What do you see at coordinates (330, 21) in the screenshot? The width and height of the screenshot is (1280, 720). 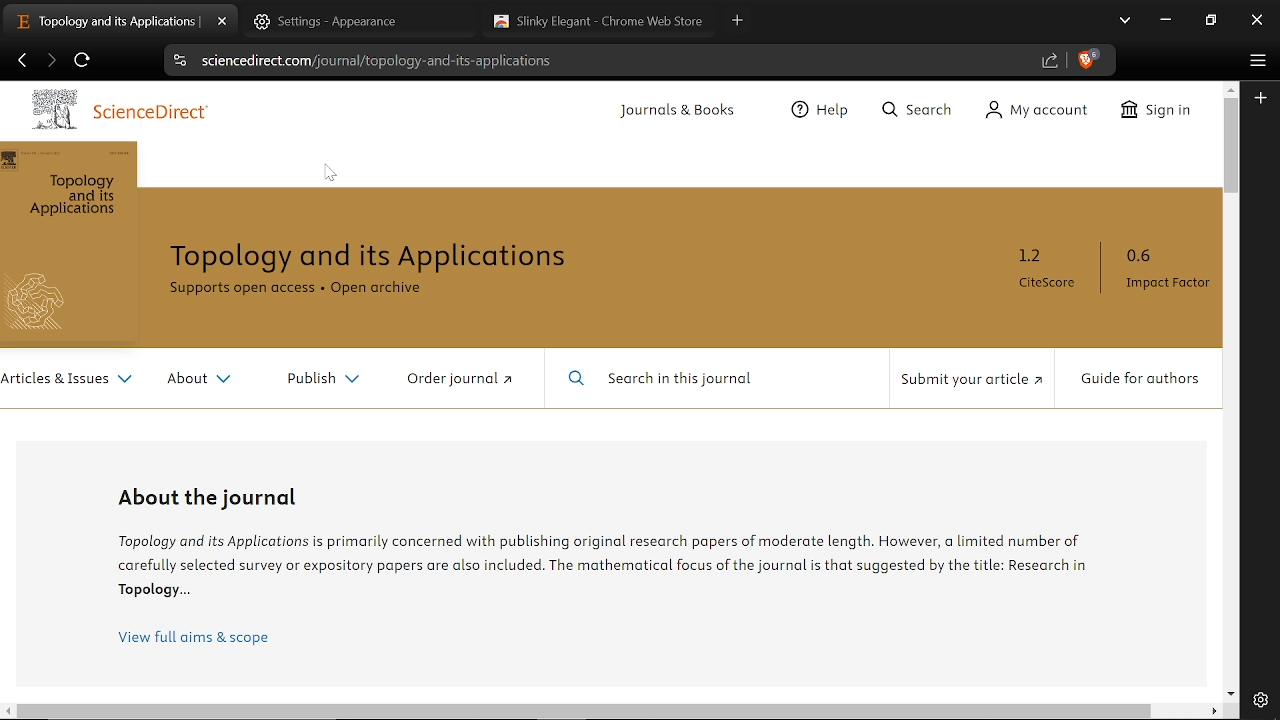 I see `Settings Tab` at bounding box center [330, 21].